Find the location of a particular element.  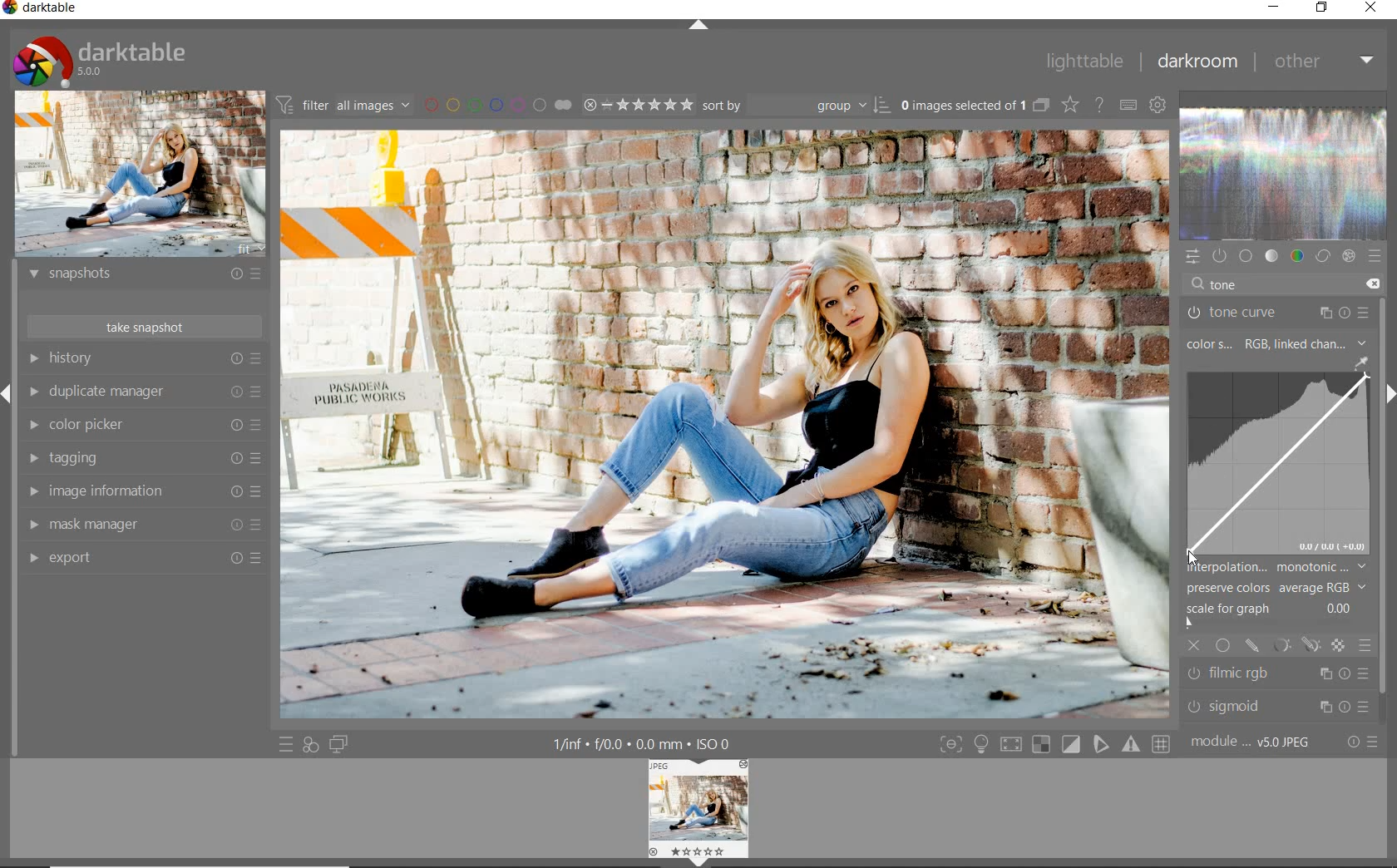

export is located at coordinates (141, 557).